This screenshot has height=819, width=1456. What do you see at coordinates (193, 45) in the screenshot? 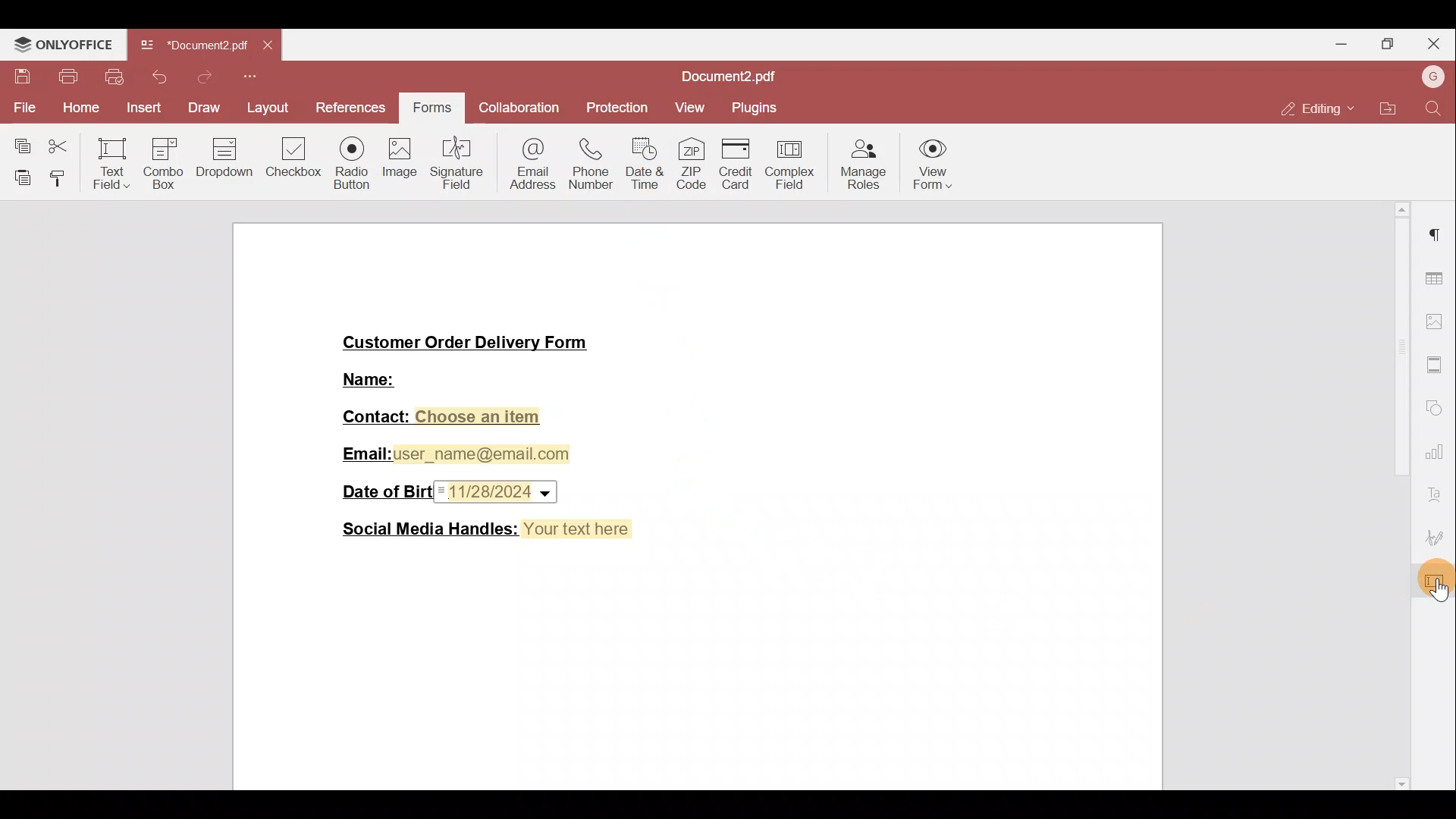
I see `Document2.pdf` at bounding box center [193, 45].